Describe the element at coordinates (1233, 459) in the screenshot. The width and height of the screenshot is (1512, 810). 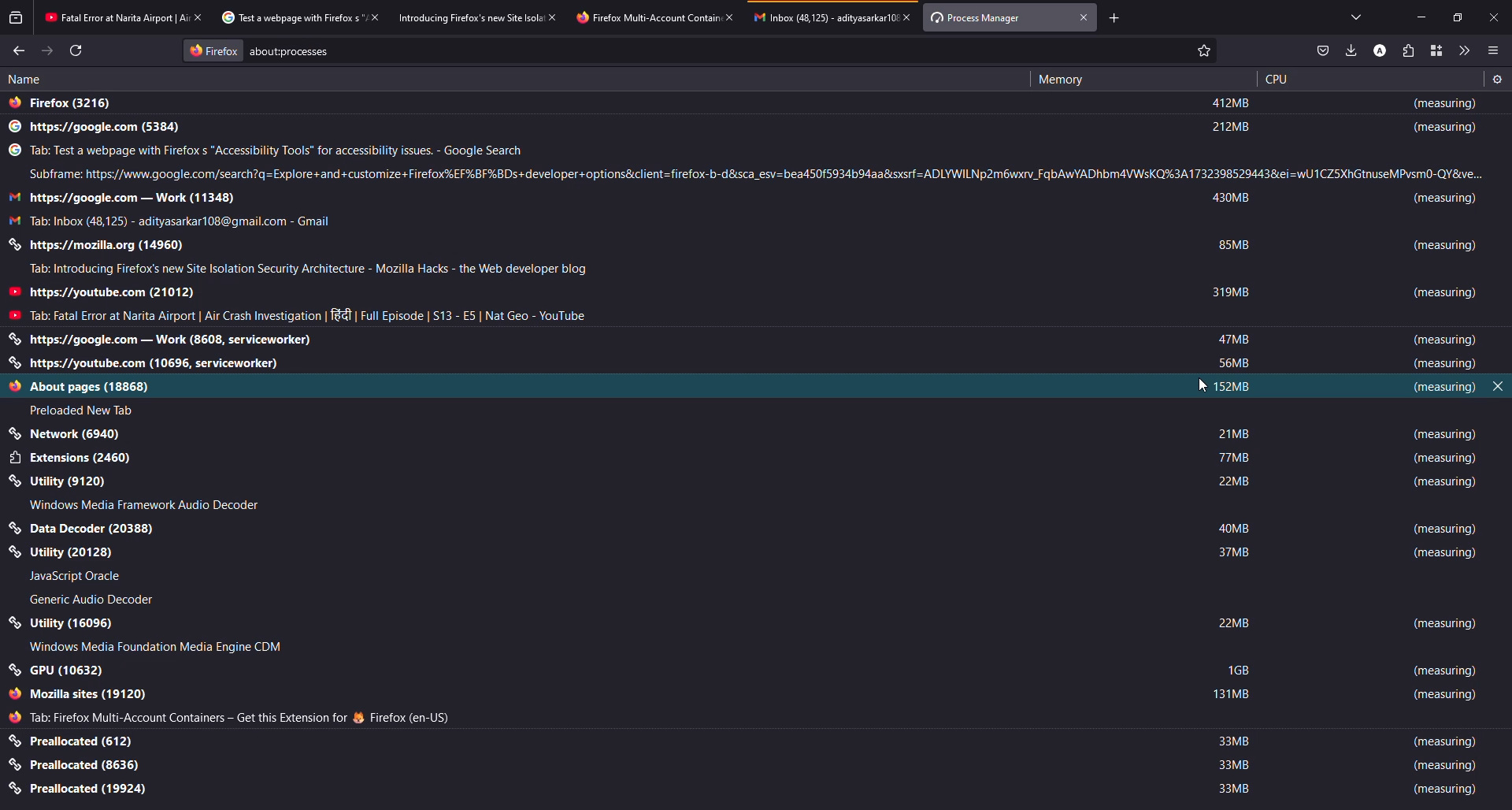
I see `77 mb` at that location.